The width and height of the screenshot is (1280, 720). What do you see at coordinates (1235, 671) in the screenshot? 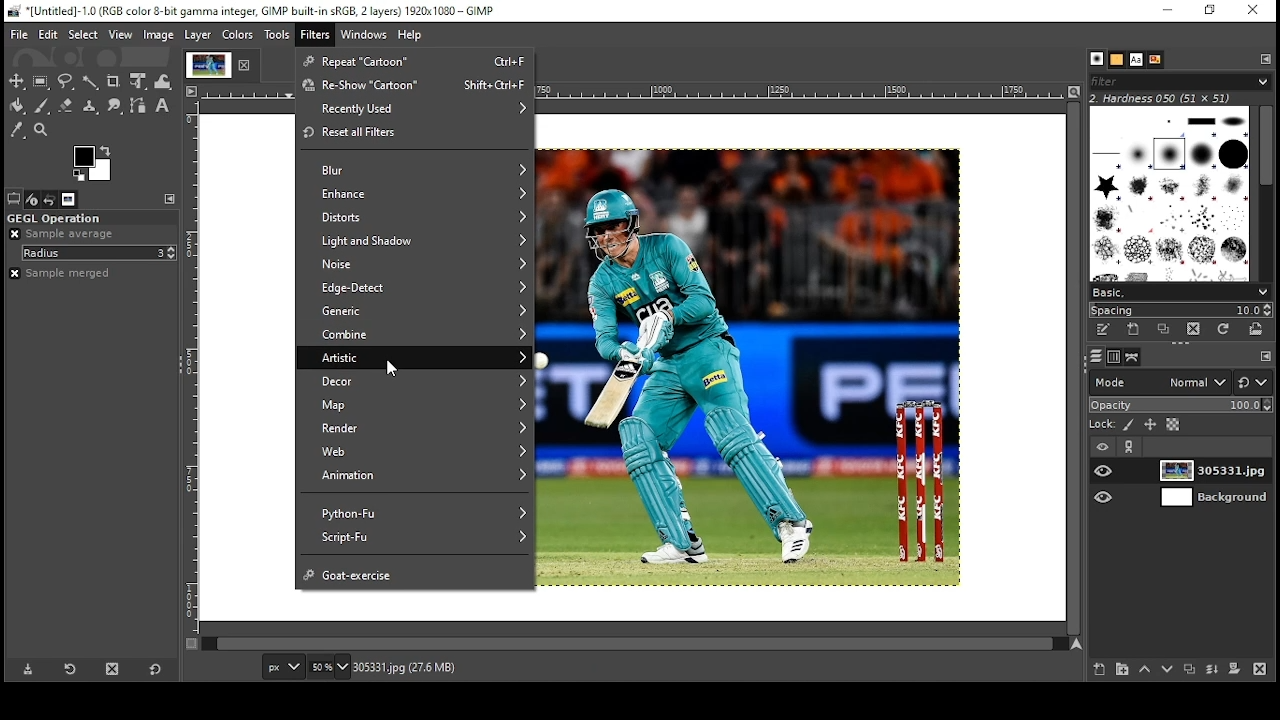
I see `add mask` at bounding box center [1235, 671].